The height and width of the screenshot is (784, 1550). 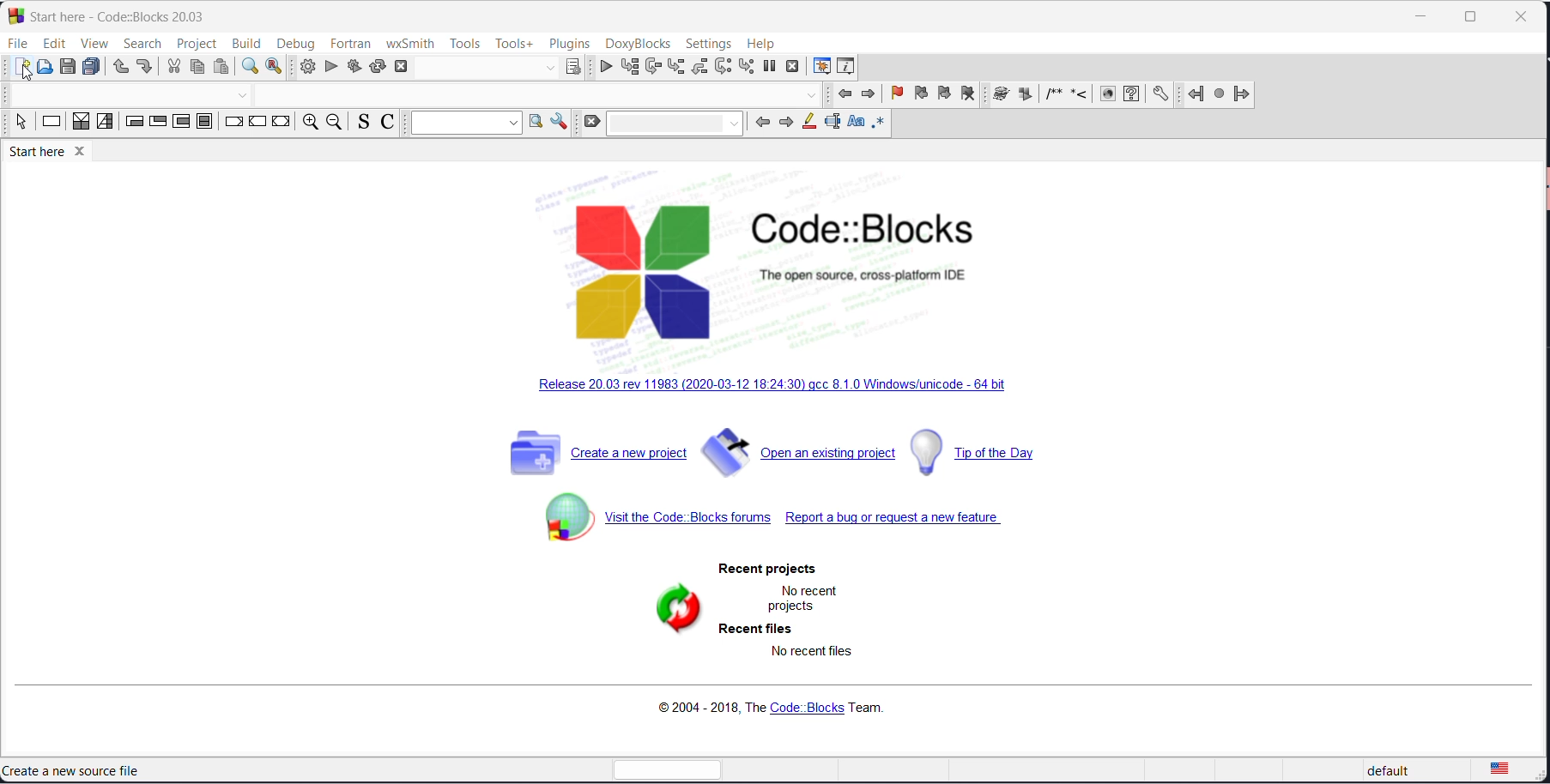 I want to click on abort, so click(x=405, y=68).